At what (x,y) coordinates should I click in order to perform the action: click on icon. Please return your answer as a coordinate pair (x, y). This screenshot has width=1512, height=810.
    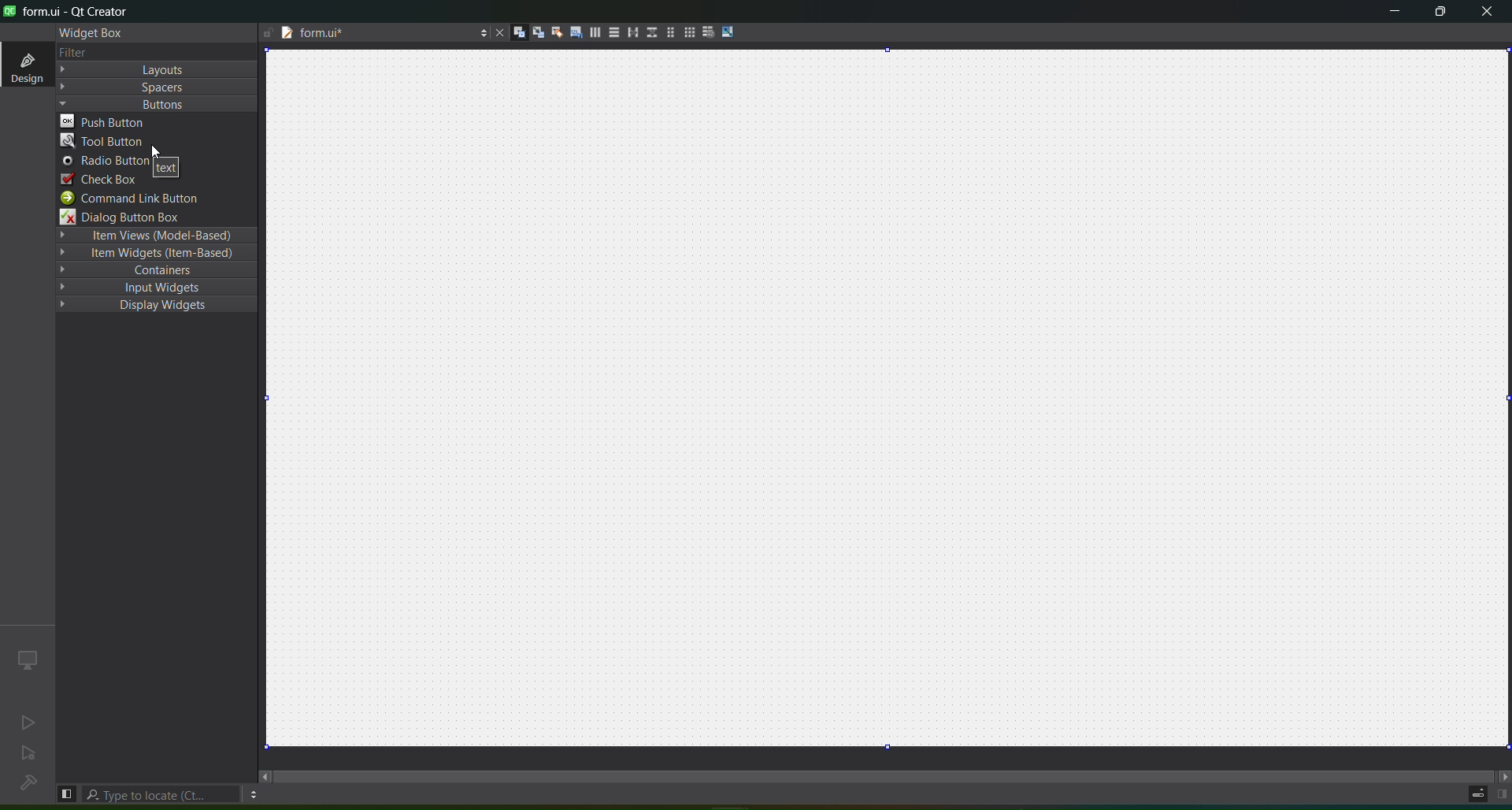
    Looking at the image, I should click on (28, 659).